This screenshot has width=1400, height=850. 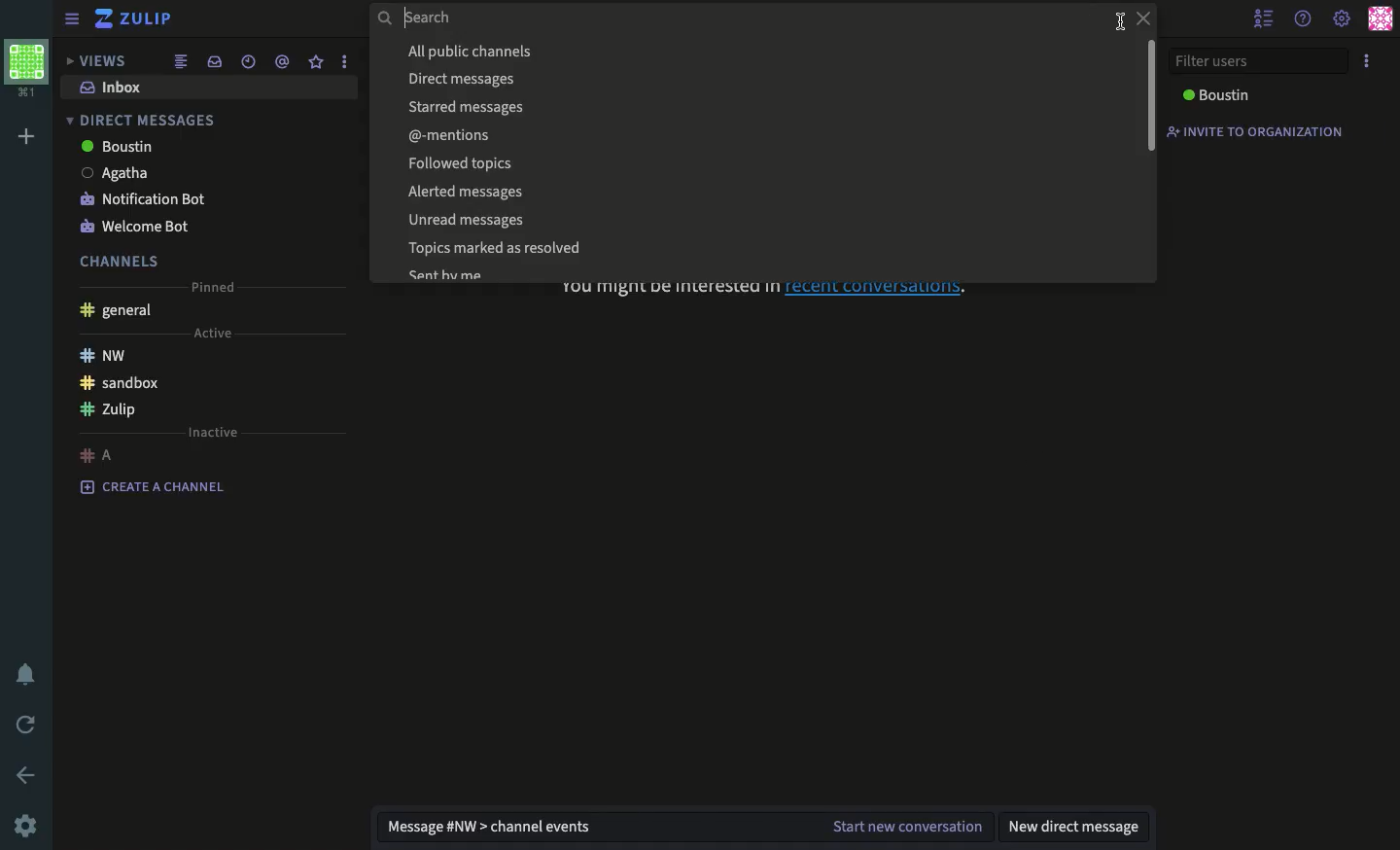 I want to click on notification, so click(x=26, y=676).